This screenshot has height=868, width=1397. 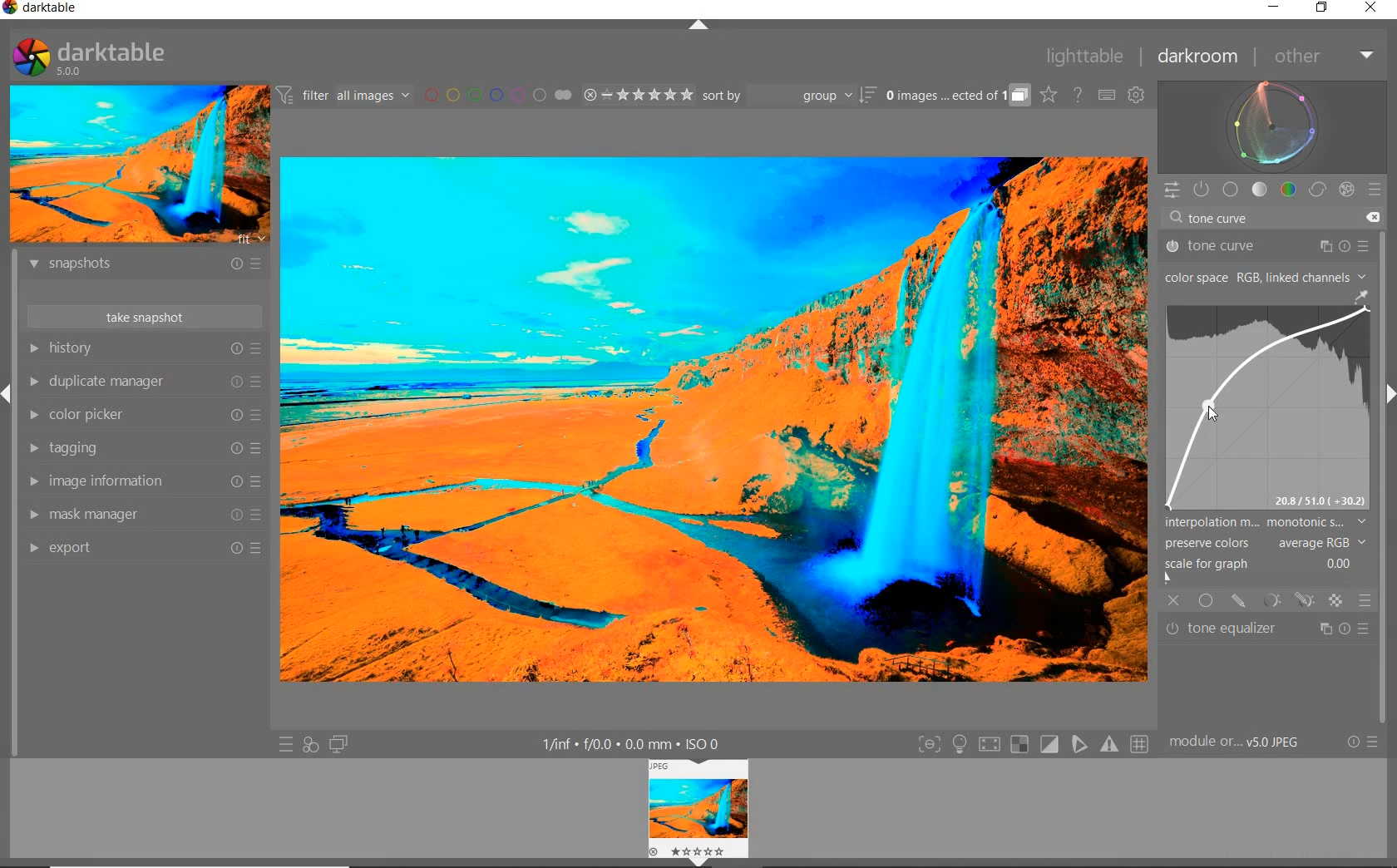 What do you see at coordinates (1136, 95) in the screenshot?
I see `SHOW GLOBAL PREFERENCES` at bounding box center [1136, 95].